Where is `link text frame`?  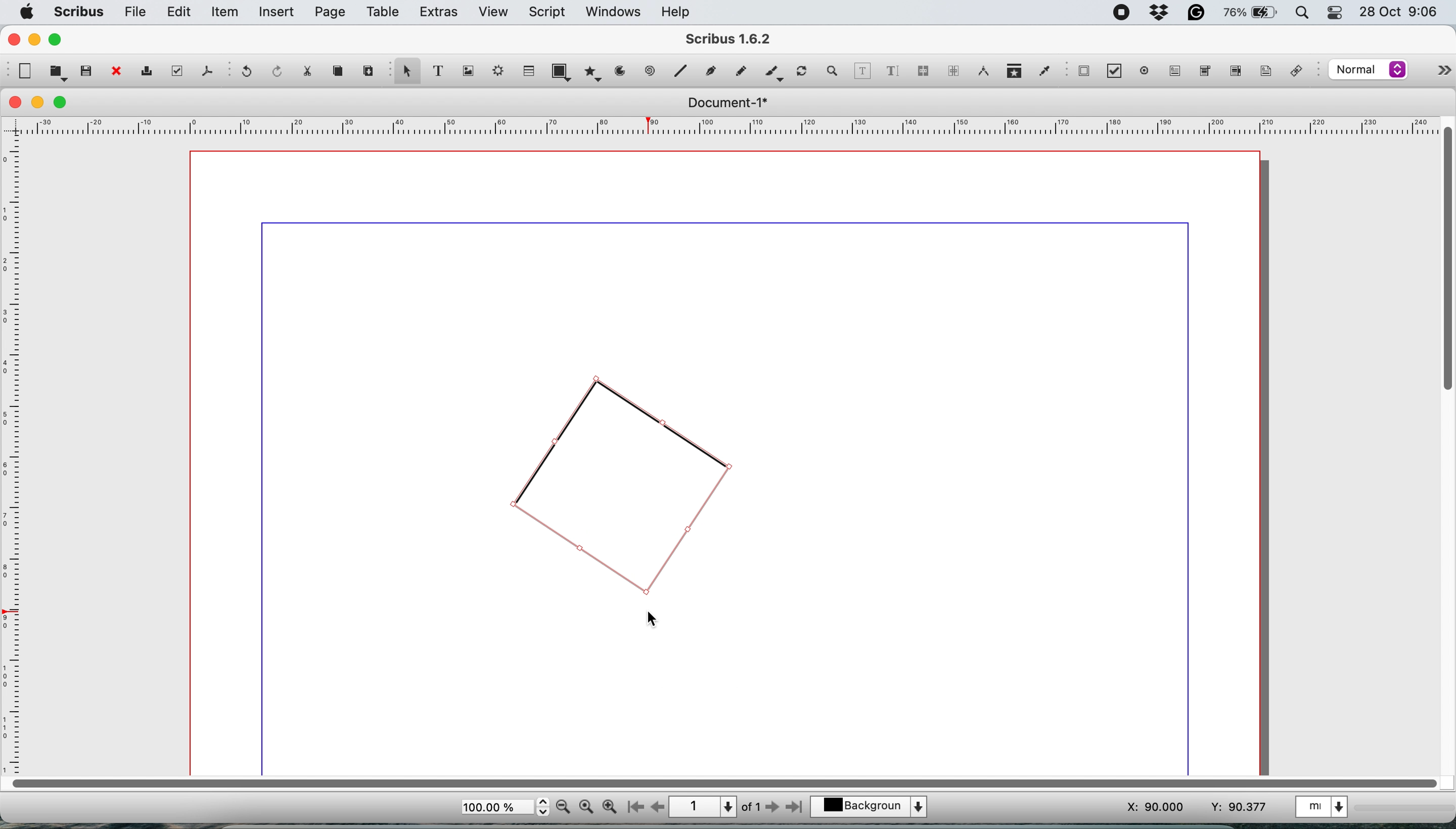 link text frame is located at coordinates (925, 71).